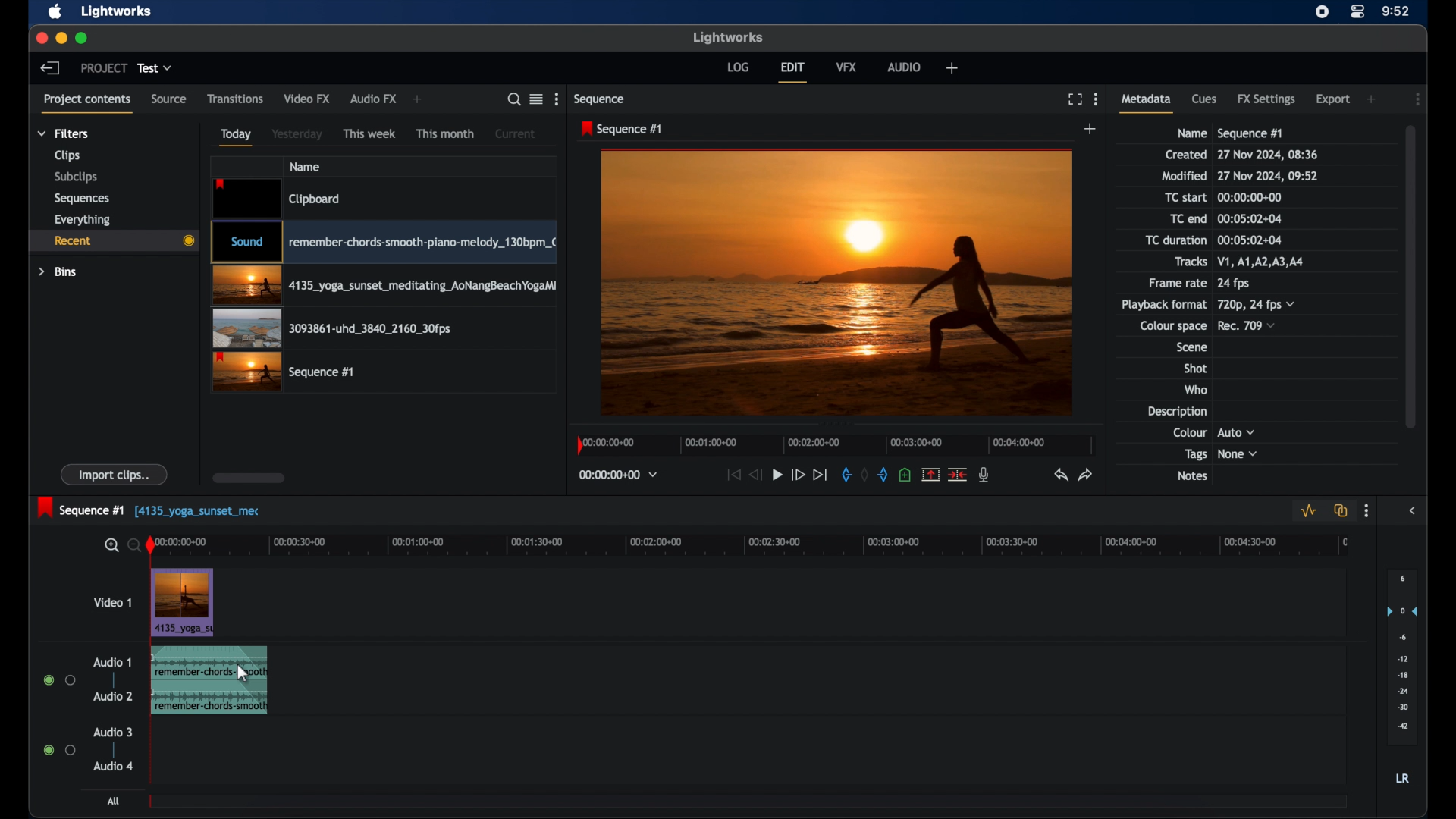 This screenshot has width=1456, height=819. What do you see at coordinates (847, 66) in the screenshot?
I see `vfx` at bounding box center [847, 66].